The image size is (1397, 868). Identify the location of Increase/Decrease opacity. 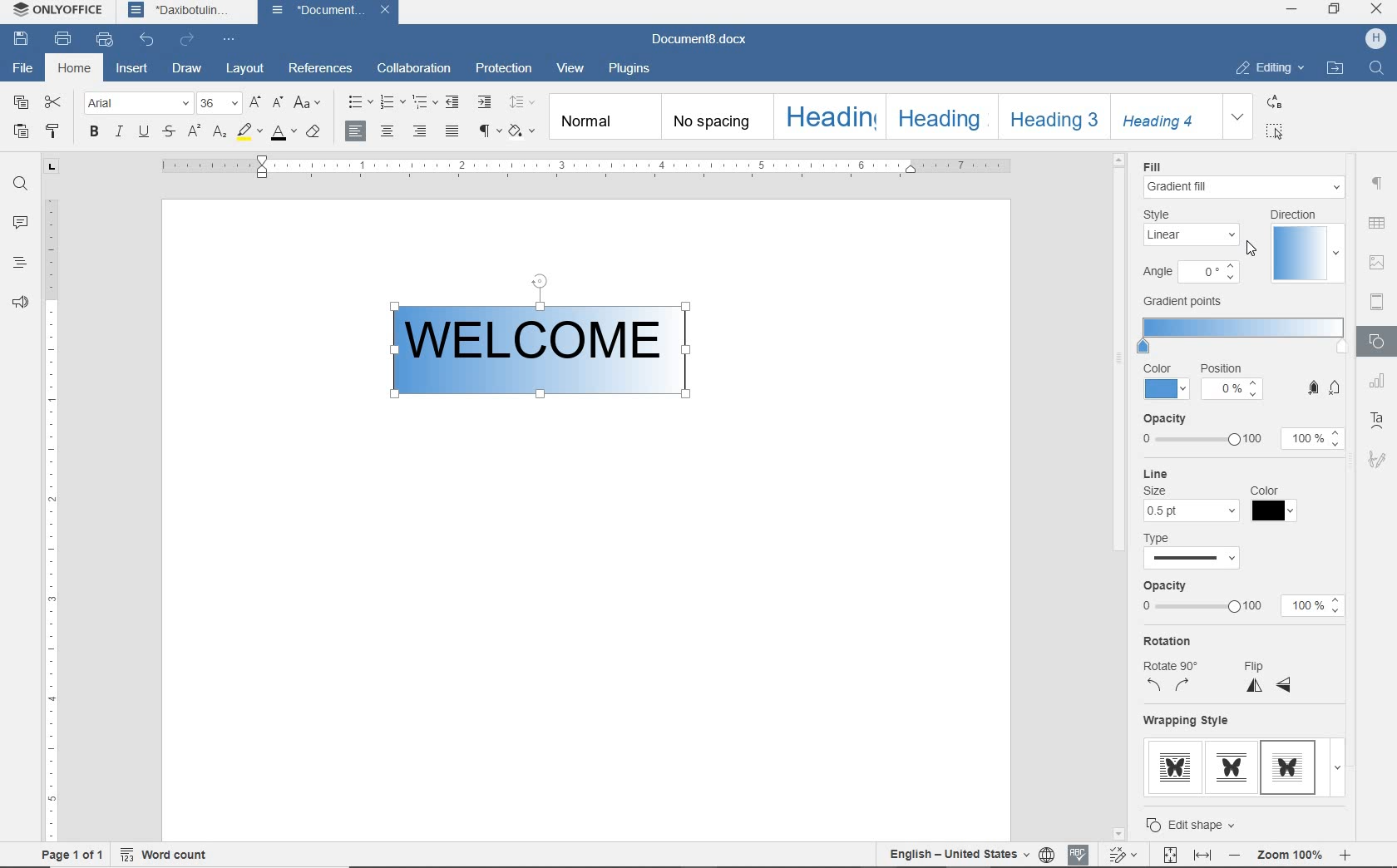
(1337, 605).